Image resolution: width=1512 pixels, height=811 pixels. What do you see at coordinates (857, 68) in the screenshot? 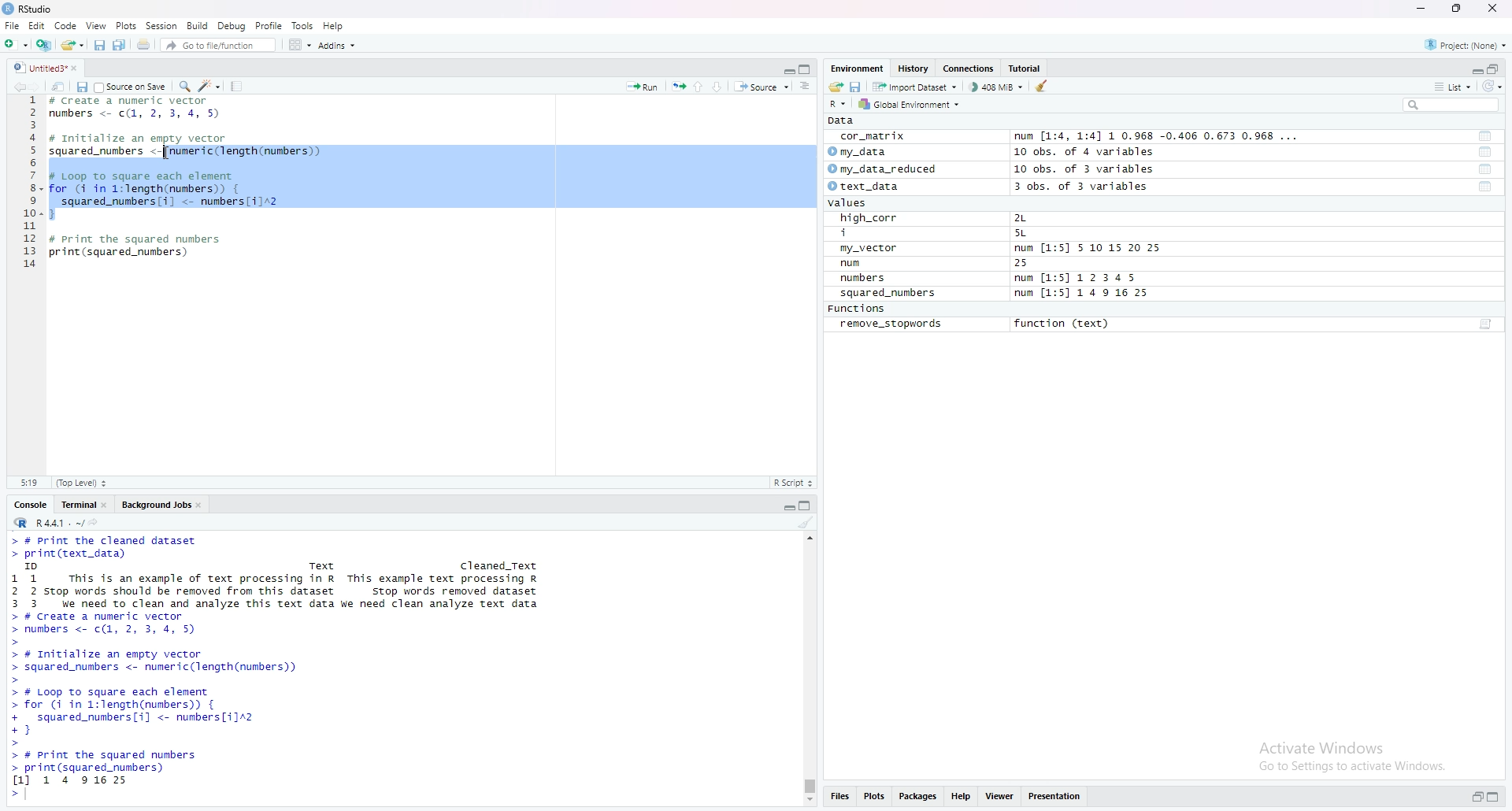
I see `Environment` at bounding box center [857, 68].